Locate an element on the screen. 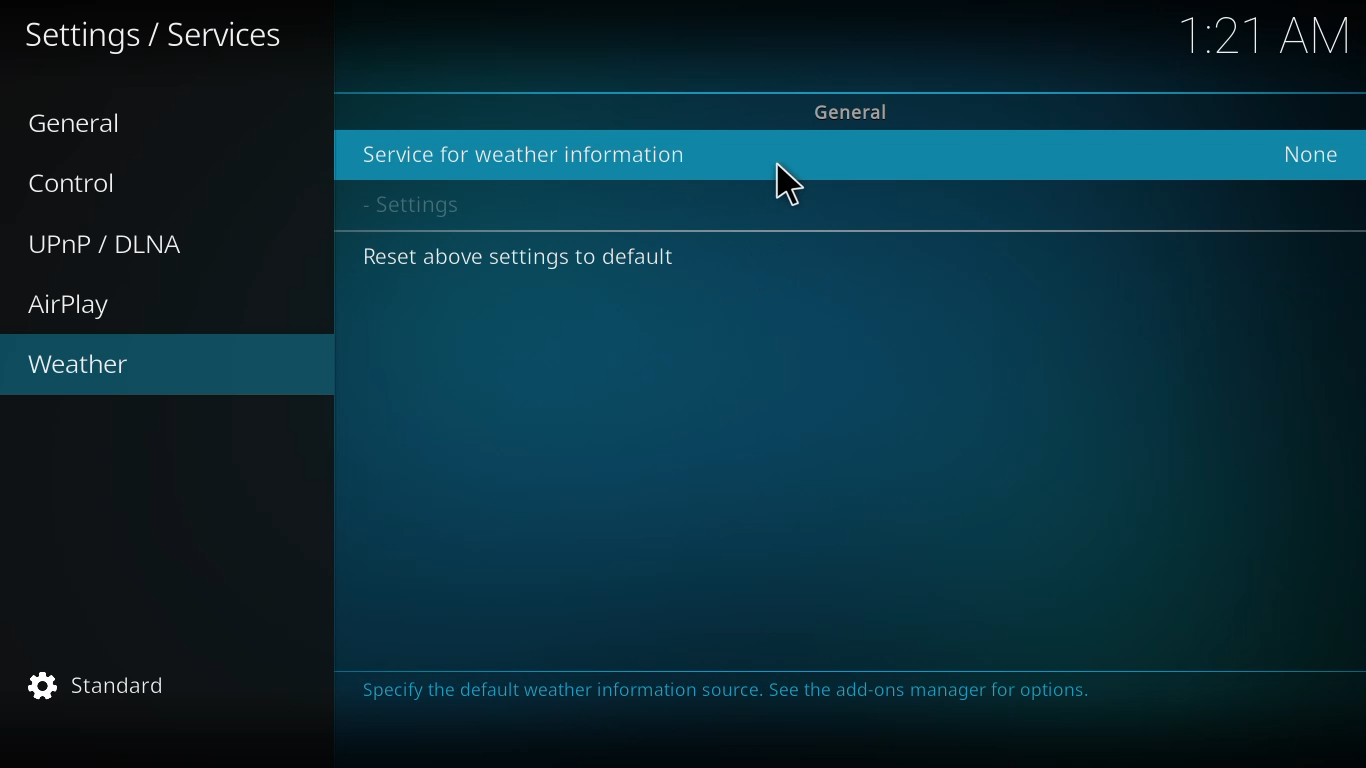 The image size is (1366, 768). settings is located at coordinates (156, 36).